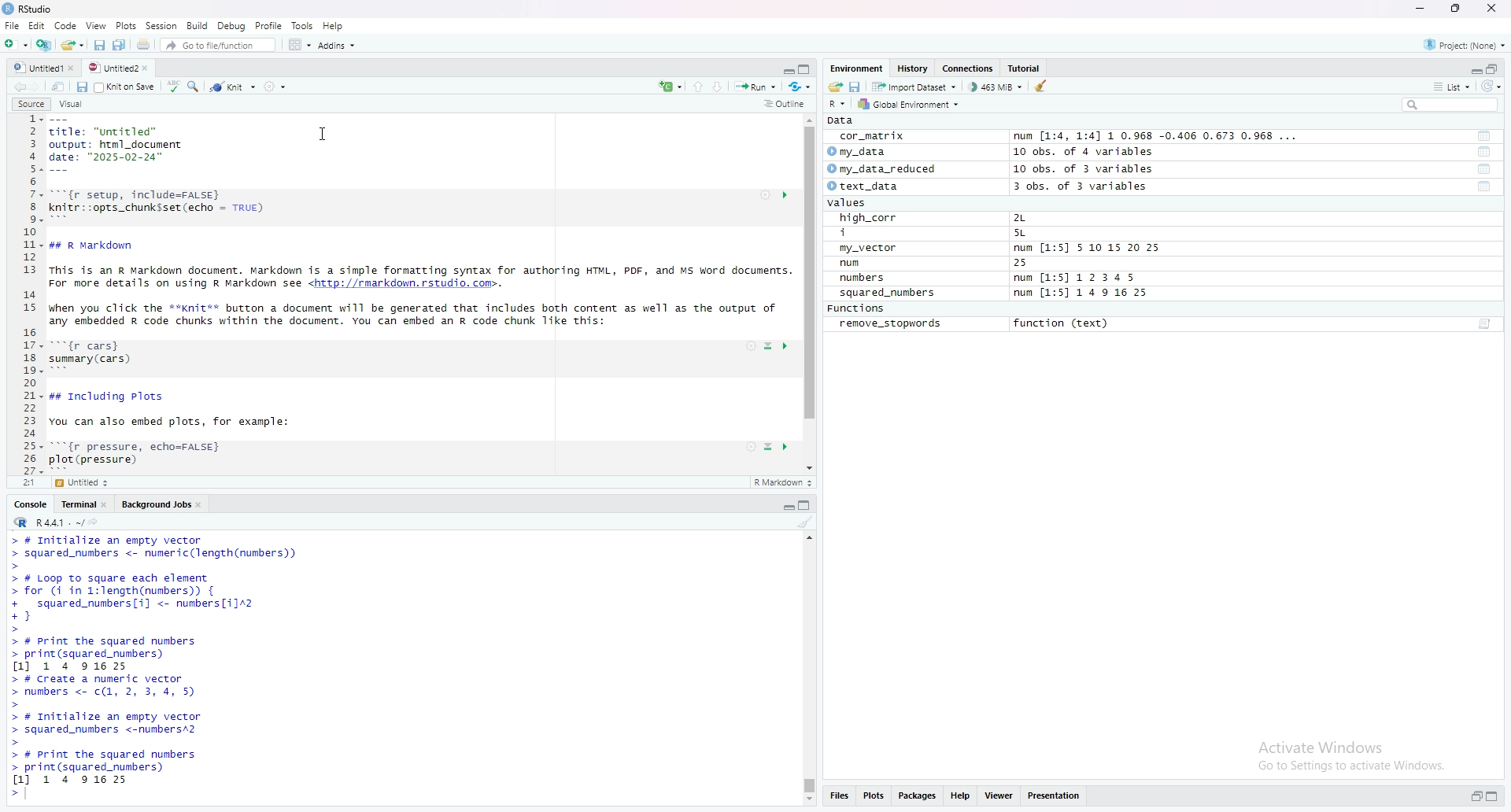 Image resolution: width=1511 pixels, height=812 pixels. Describe the element at coordinates (807, 802) in the screenshot. I see `Scrollbar down` at that location.